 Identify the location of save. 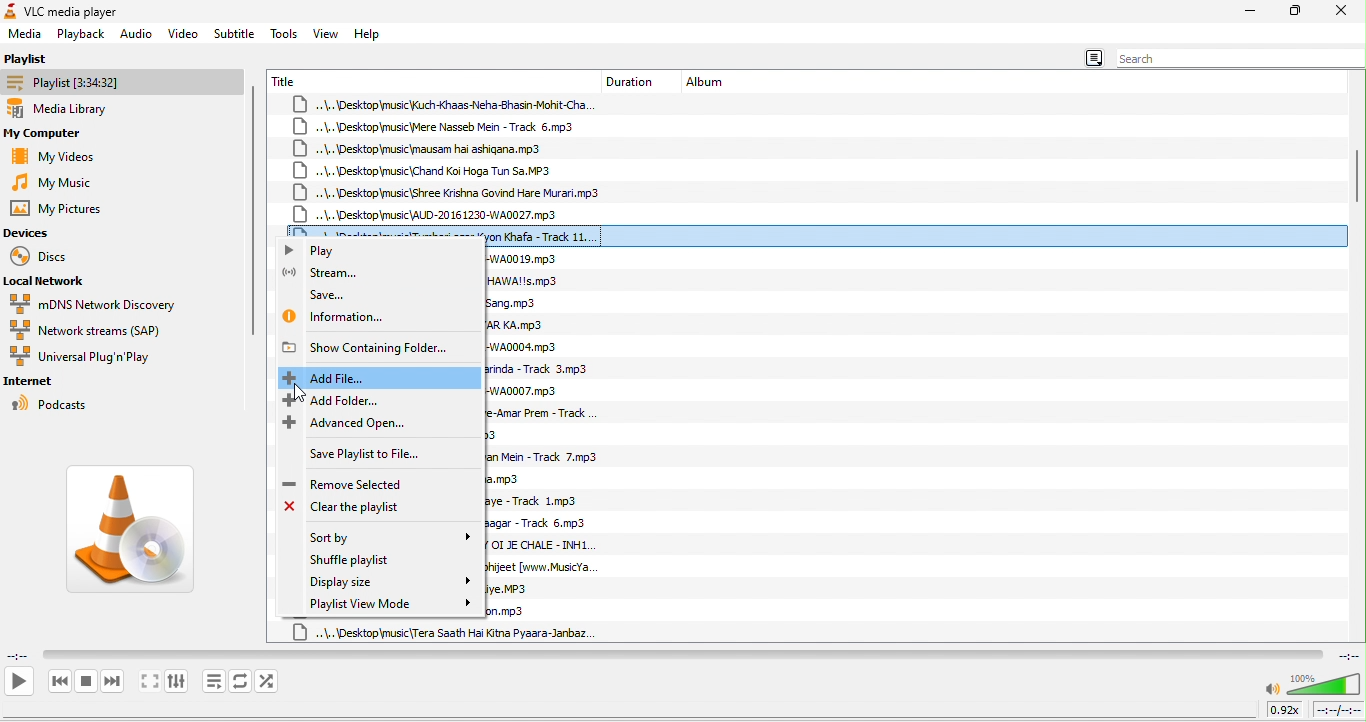
(330, 292).